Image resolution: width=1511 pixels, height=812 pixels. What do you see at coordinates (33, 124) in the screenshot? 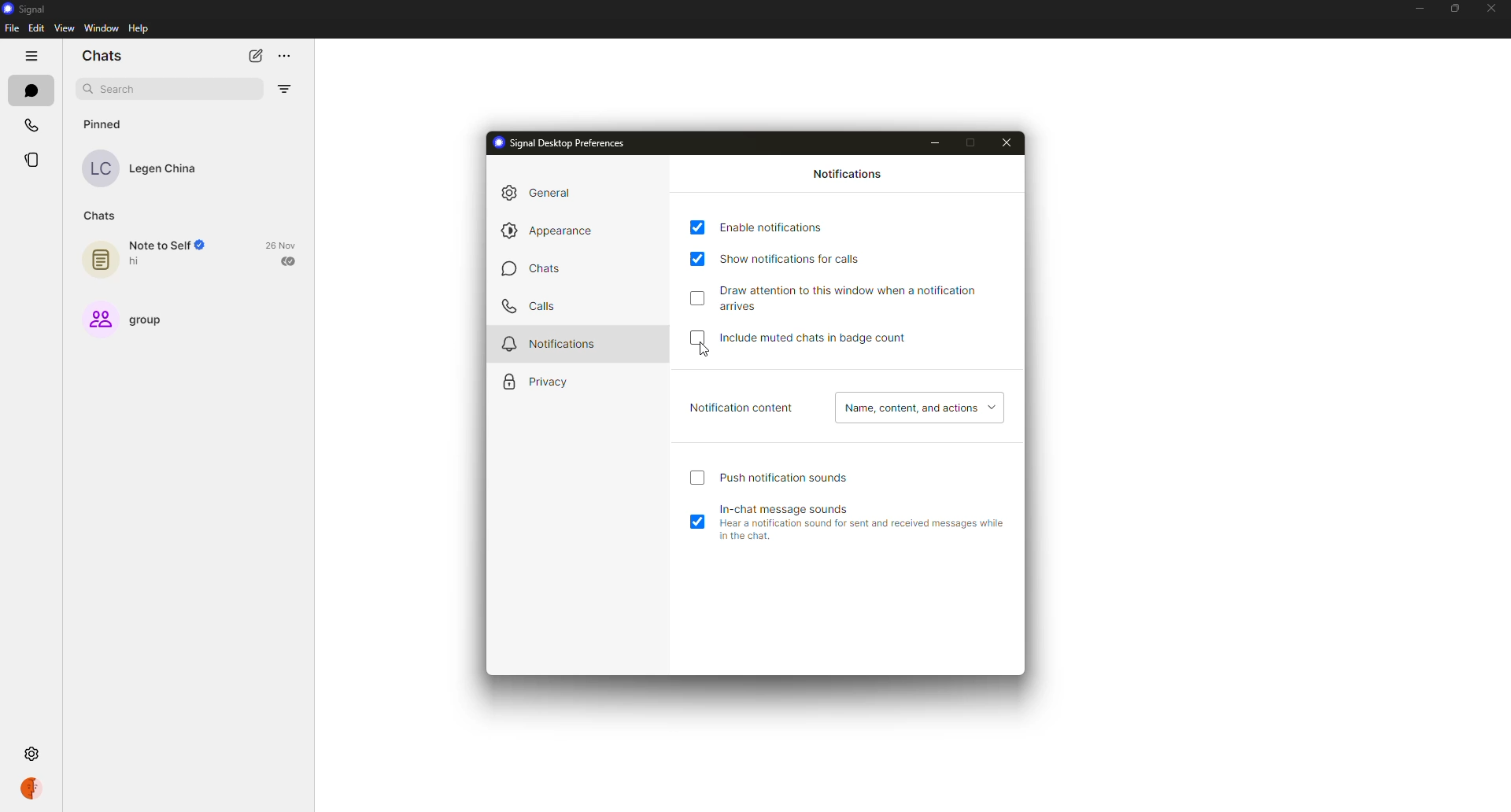
I see `calls` at bounding box center [33, 124].